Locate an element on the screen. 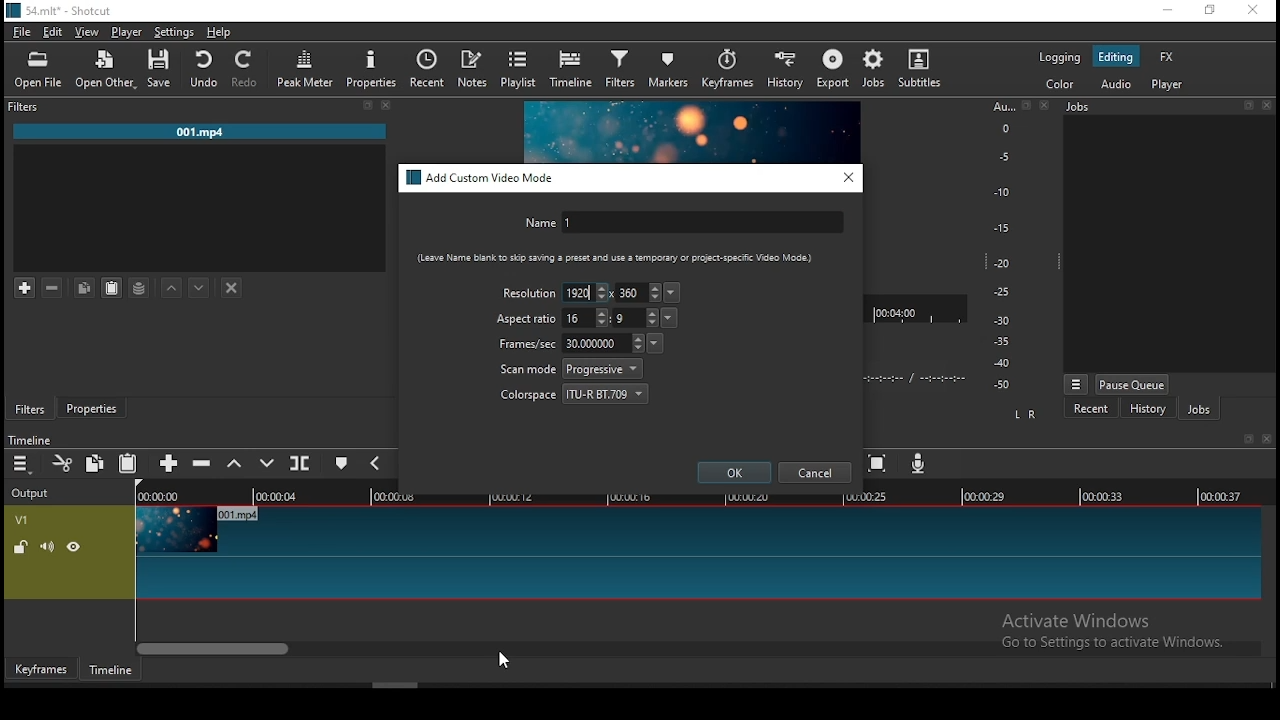 This screenshot has width=1280, height=720. 00:00:29 is located at coordinates (987, 496).